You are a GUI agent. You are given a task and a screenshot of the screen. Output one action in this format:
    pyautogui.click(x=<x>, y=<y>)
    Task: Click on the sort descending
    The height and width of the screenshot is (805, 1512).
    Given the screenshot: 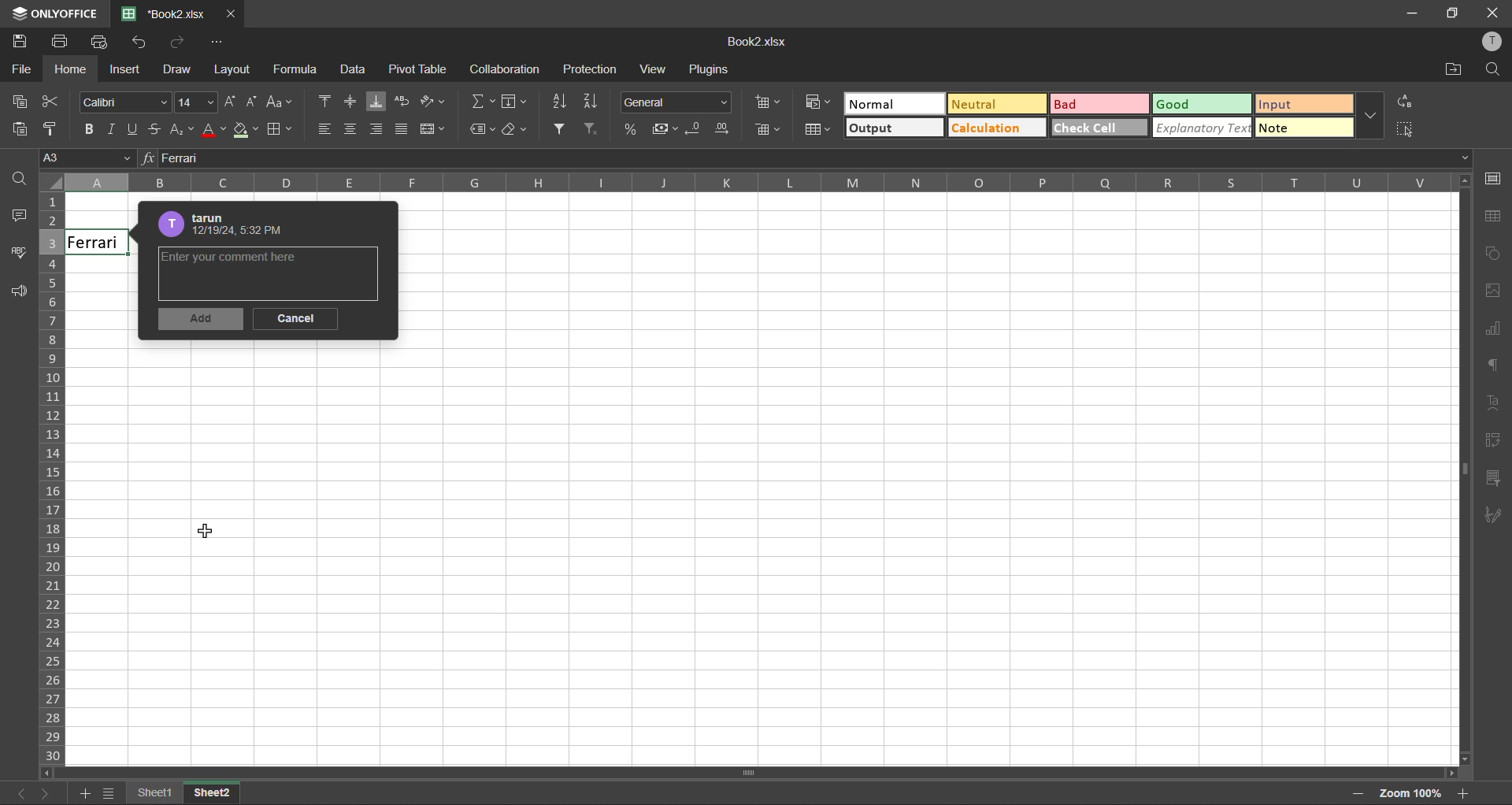 What is the action you would take?
    pyautogui.click(x=590, y=99)
    